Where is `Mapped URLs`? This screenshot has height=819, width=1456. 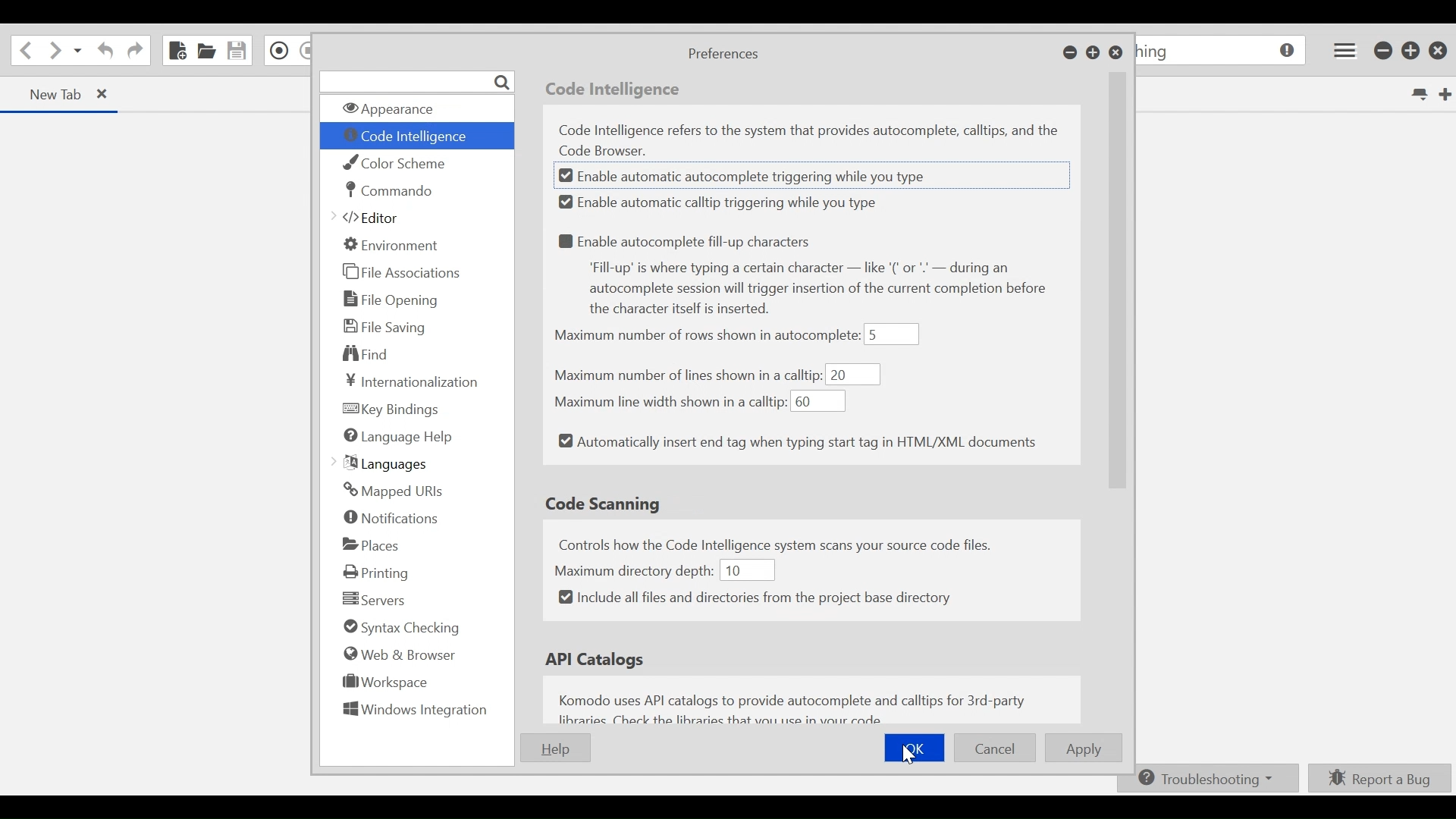 Mapped URLs is located at coordinates (392, 491).